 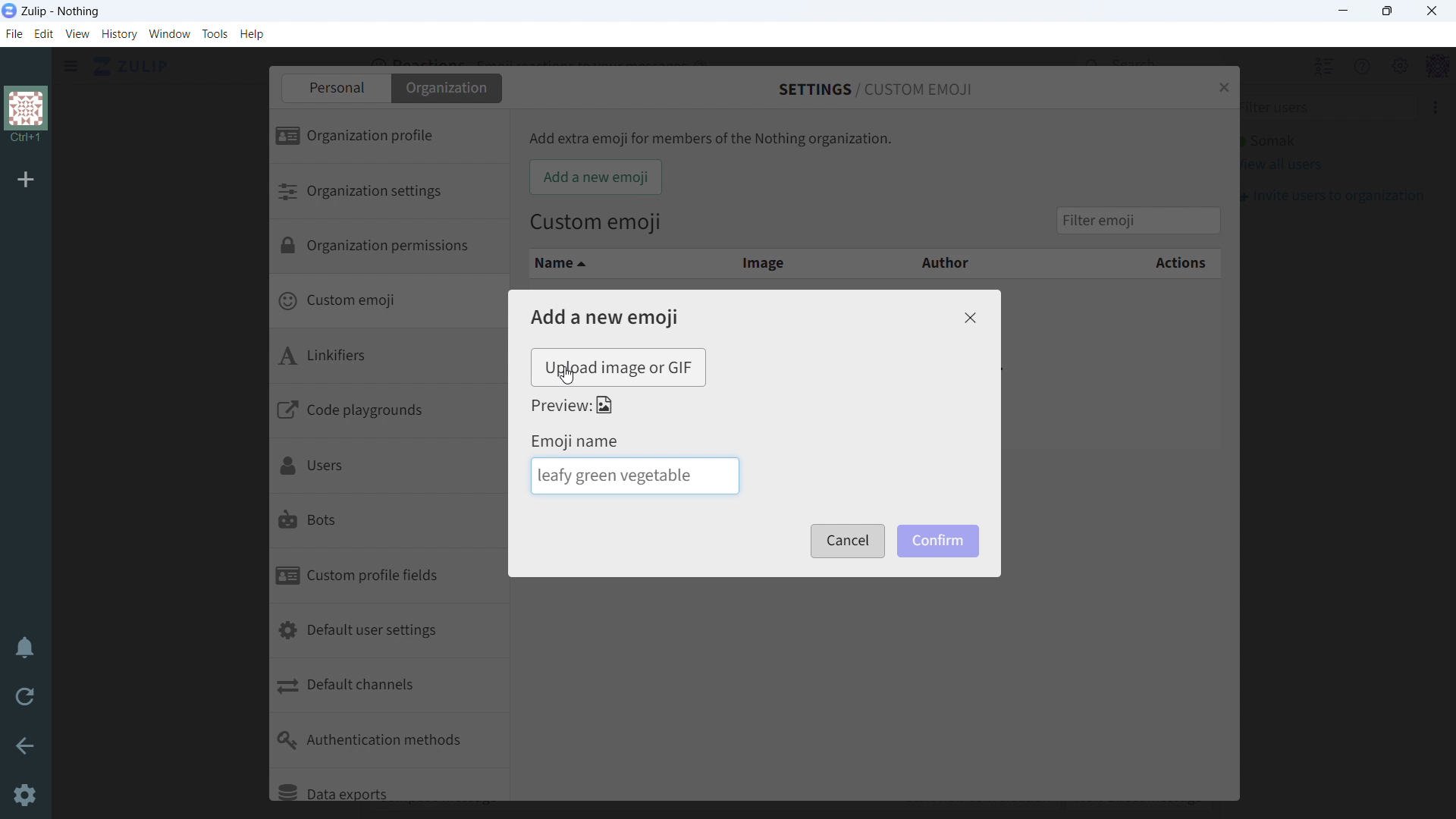 I want to click on add organization, so click(x=27, y=180).